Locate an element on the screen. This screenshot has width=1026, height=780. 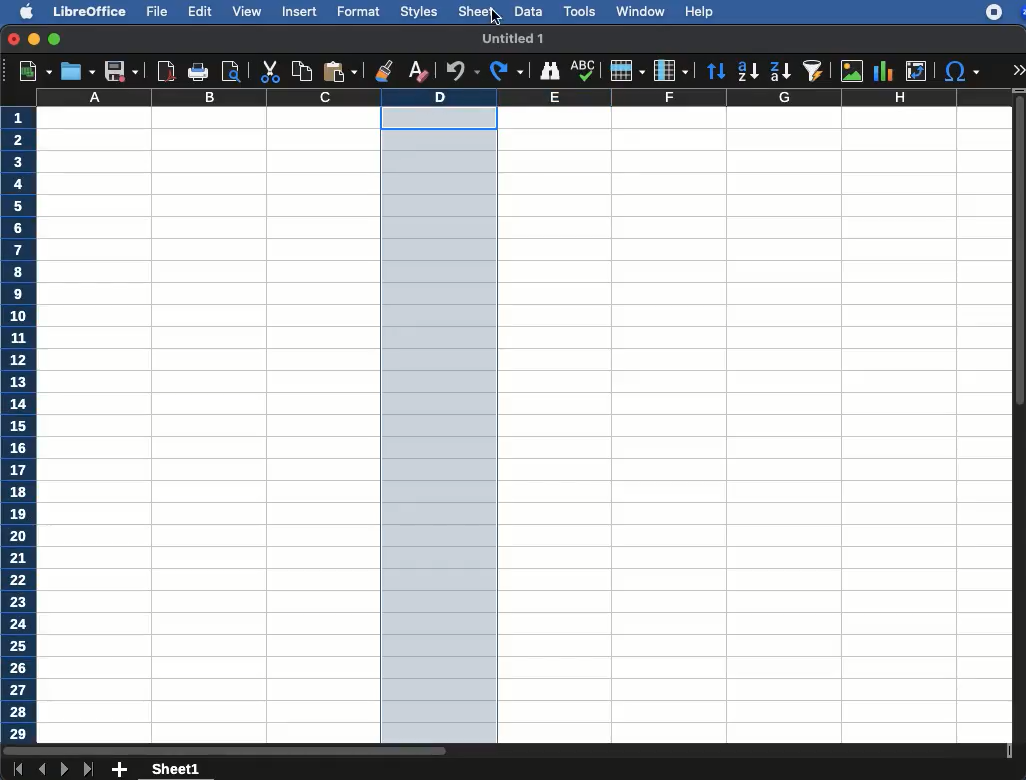
next sheet is located at coordinates (63, 771).